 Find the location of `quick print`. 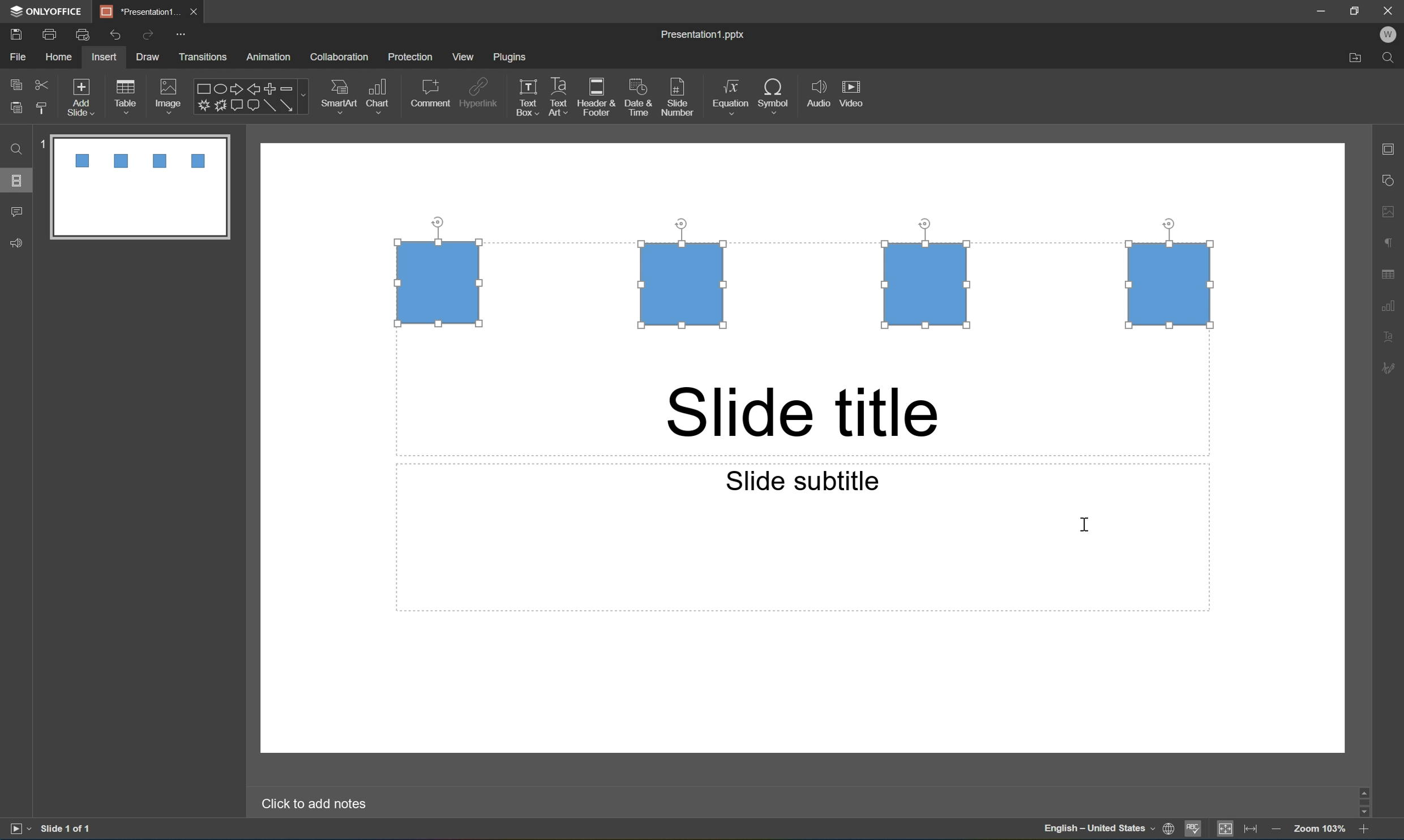

quick print is located at coordinates (83, 33).